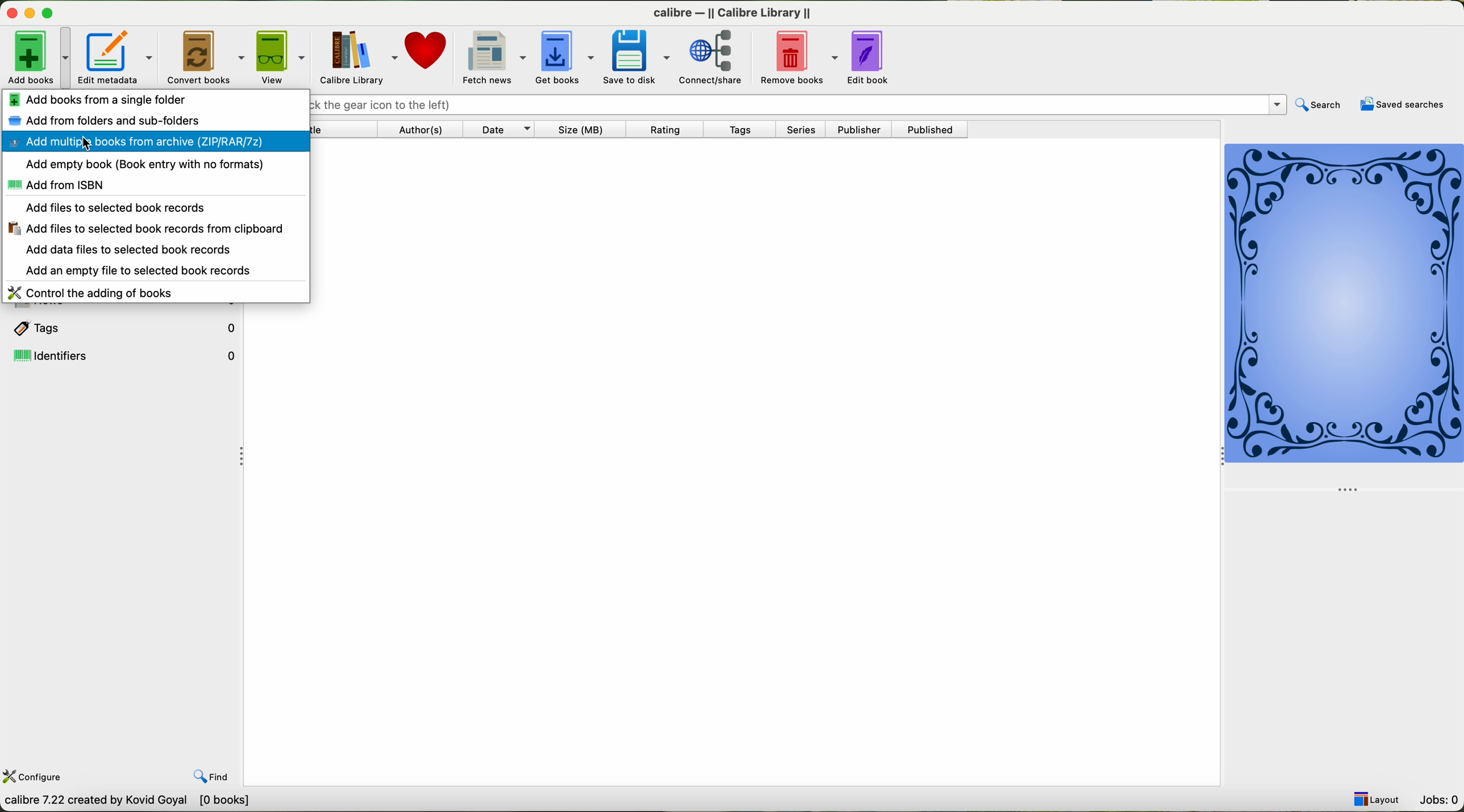 The width and height of the screenshot is (1464, 812). What do you see at coordinates (806, 131) in the screenshot?
I see `series` at bounding box center [806, 131].